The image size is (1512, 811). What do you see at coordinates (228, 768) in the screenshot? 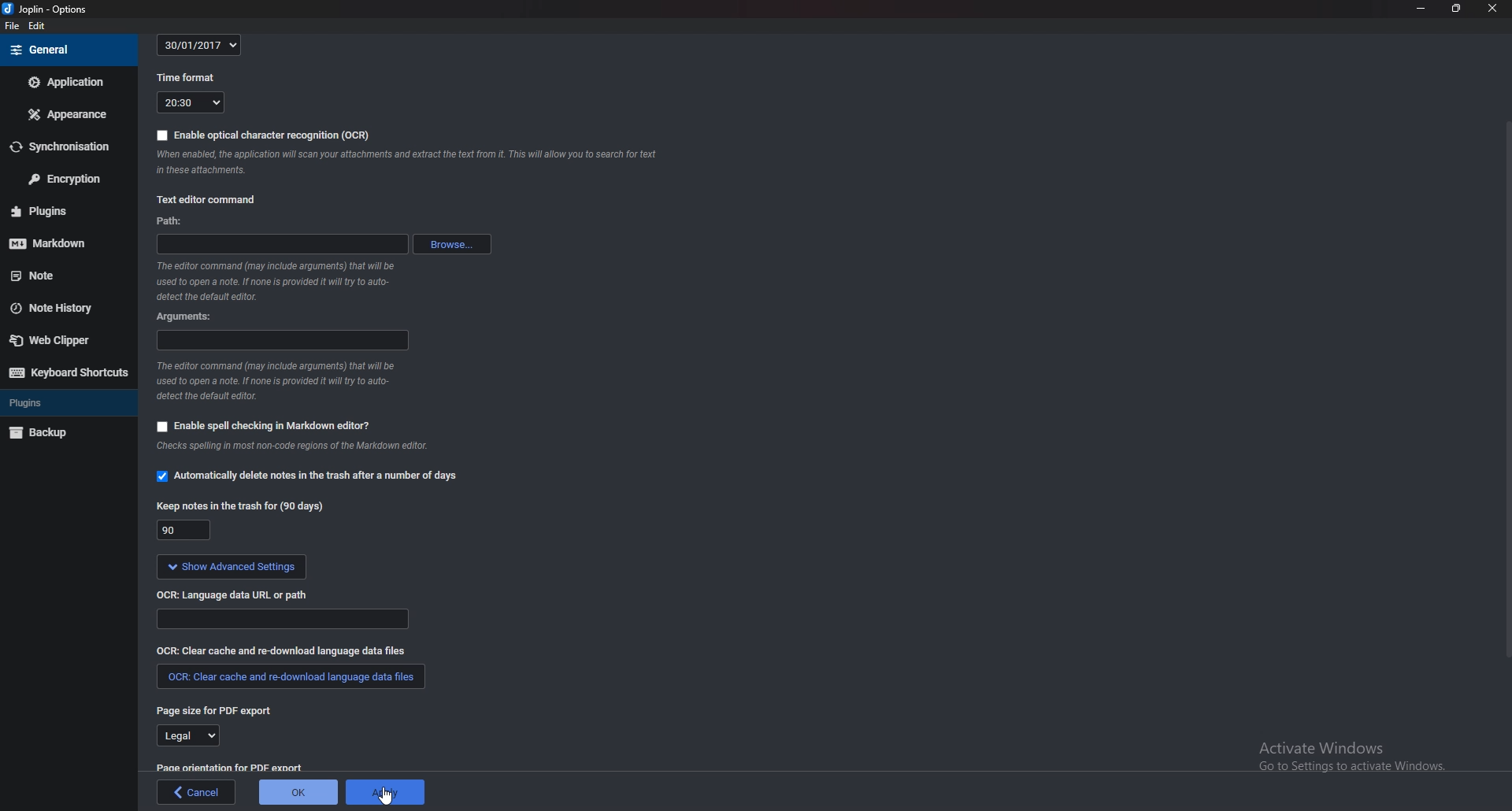
I see `page orientation for pdf export` at bounding box center [228, 768].